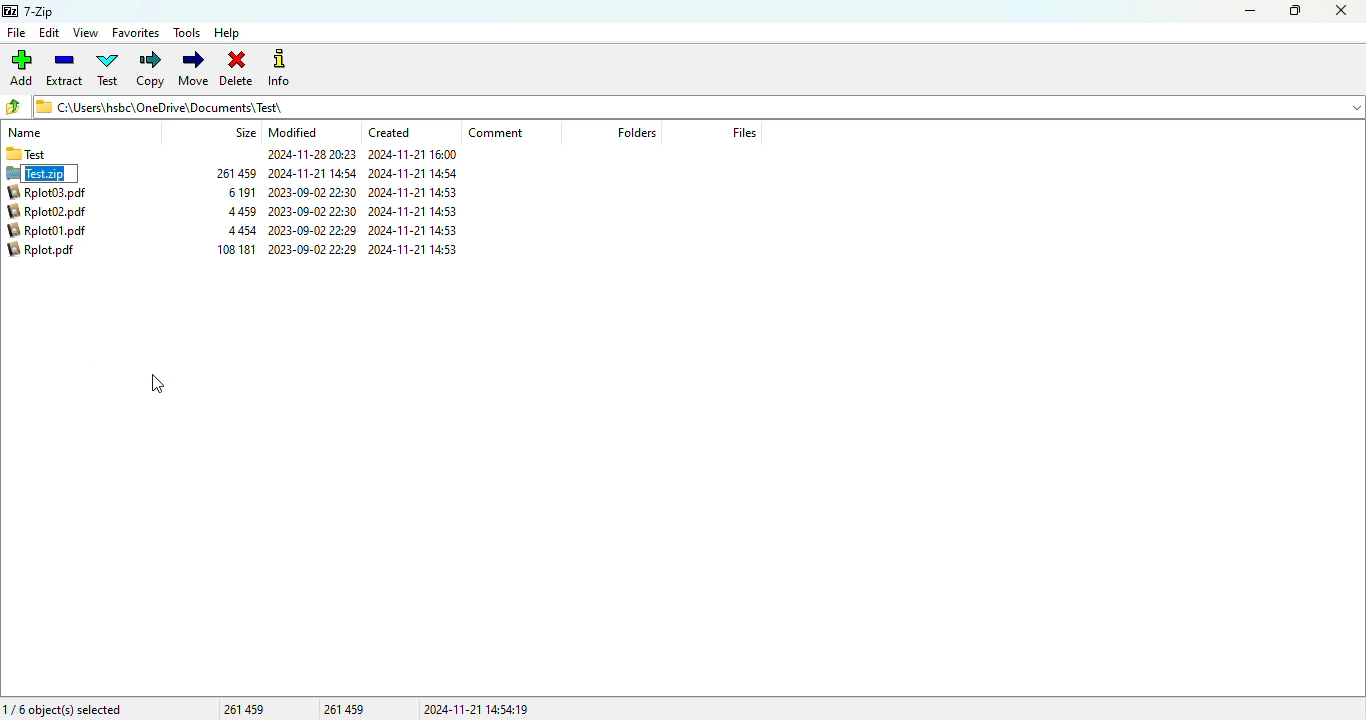 The height and width of the screenshot is (720, 1366). Describe the element at coordinates (242, 230) in the screenshot. I see `4 454` at that location.